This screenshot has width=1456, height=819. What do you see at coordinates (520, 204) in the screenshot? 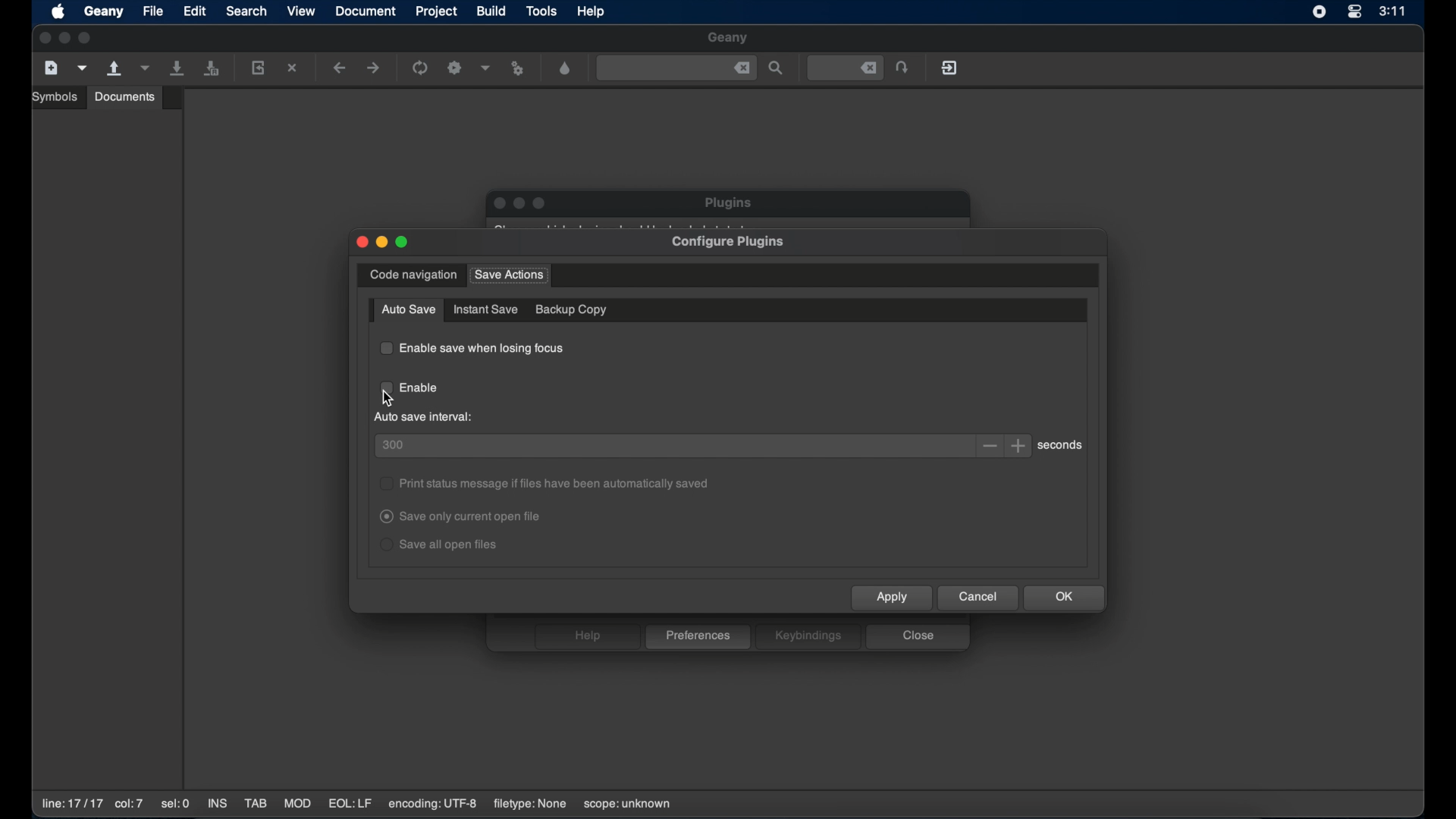
I see `minimize` at bounding box center [520, 204].